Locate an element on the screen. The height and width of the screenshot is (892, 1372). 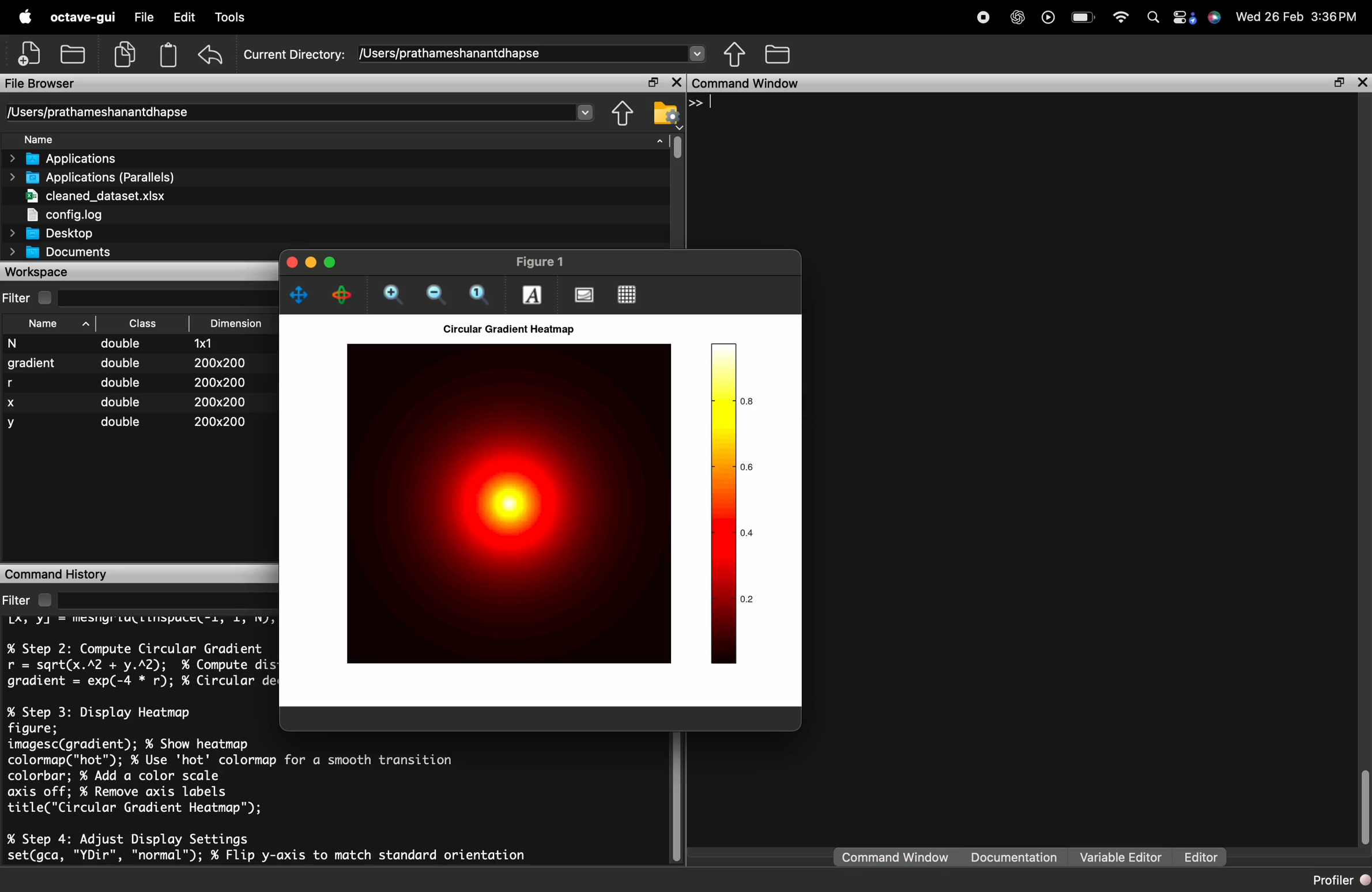
Profiler is located at coordinates (1340, 880).